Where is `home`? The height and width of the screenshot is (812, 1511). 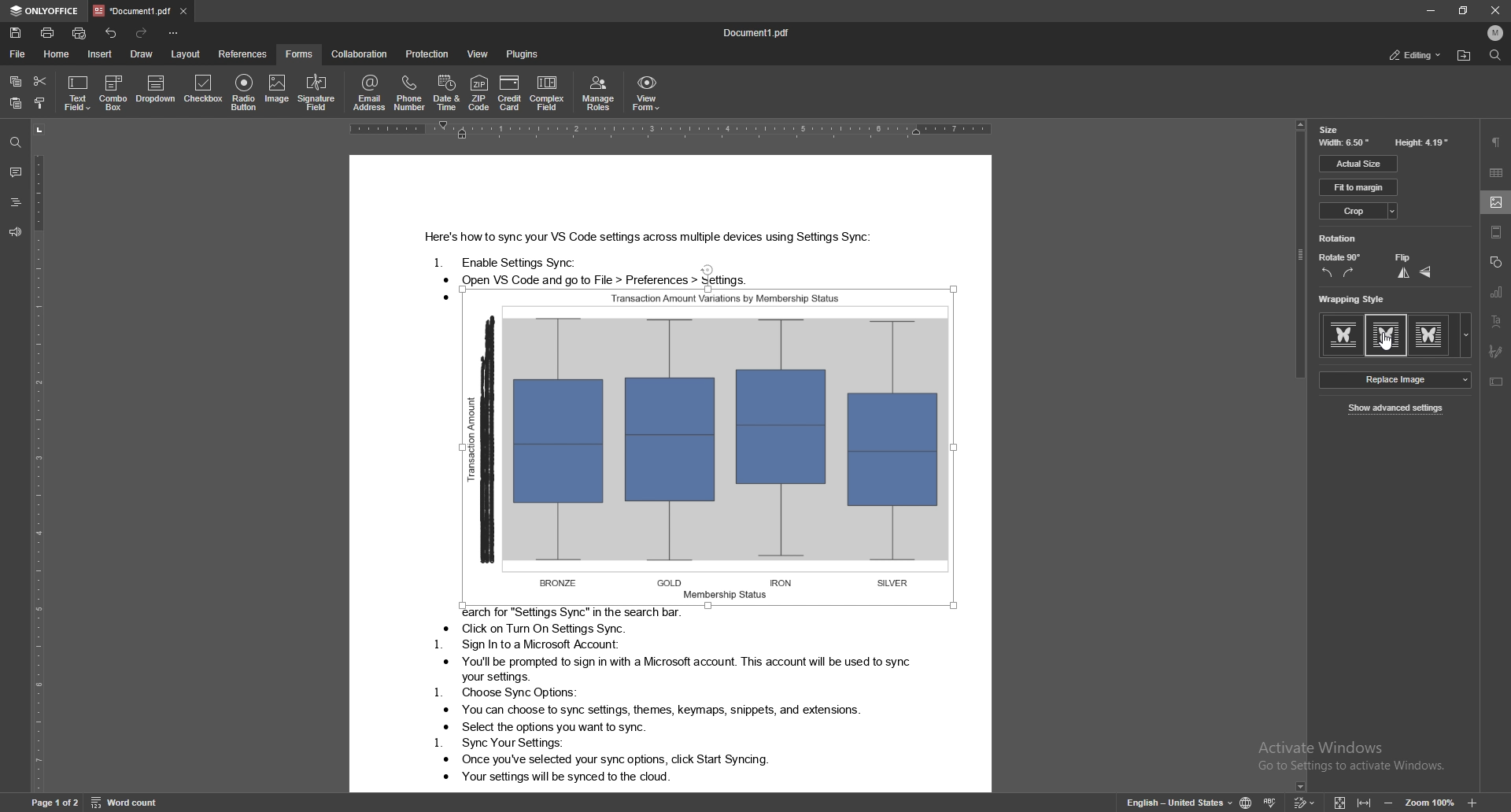
home is located at coordinates (56, 54).